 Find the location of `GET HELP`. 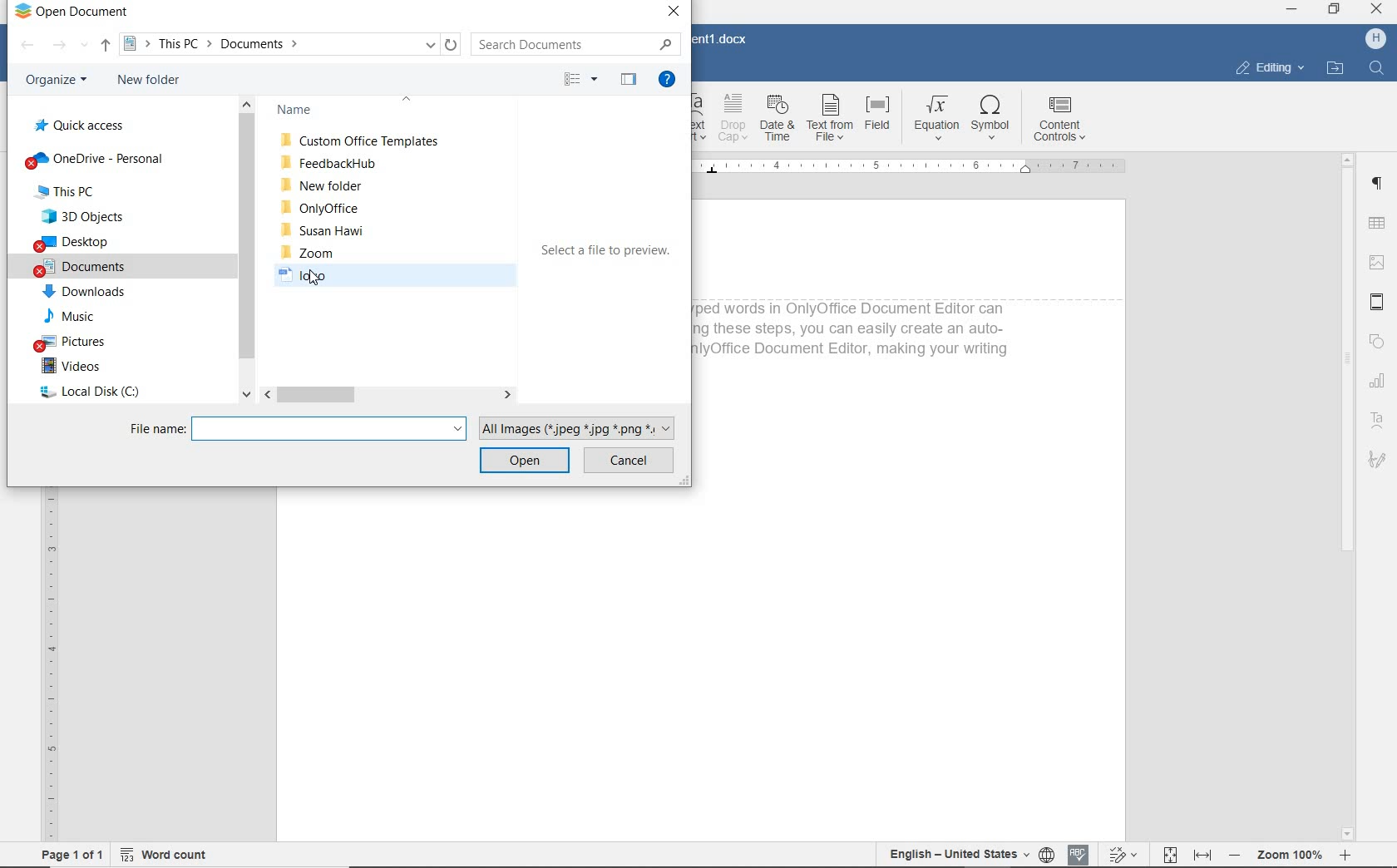

GET HELP is located at coordinates (670, 79).